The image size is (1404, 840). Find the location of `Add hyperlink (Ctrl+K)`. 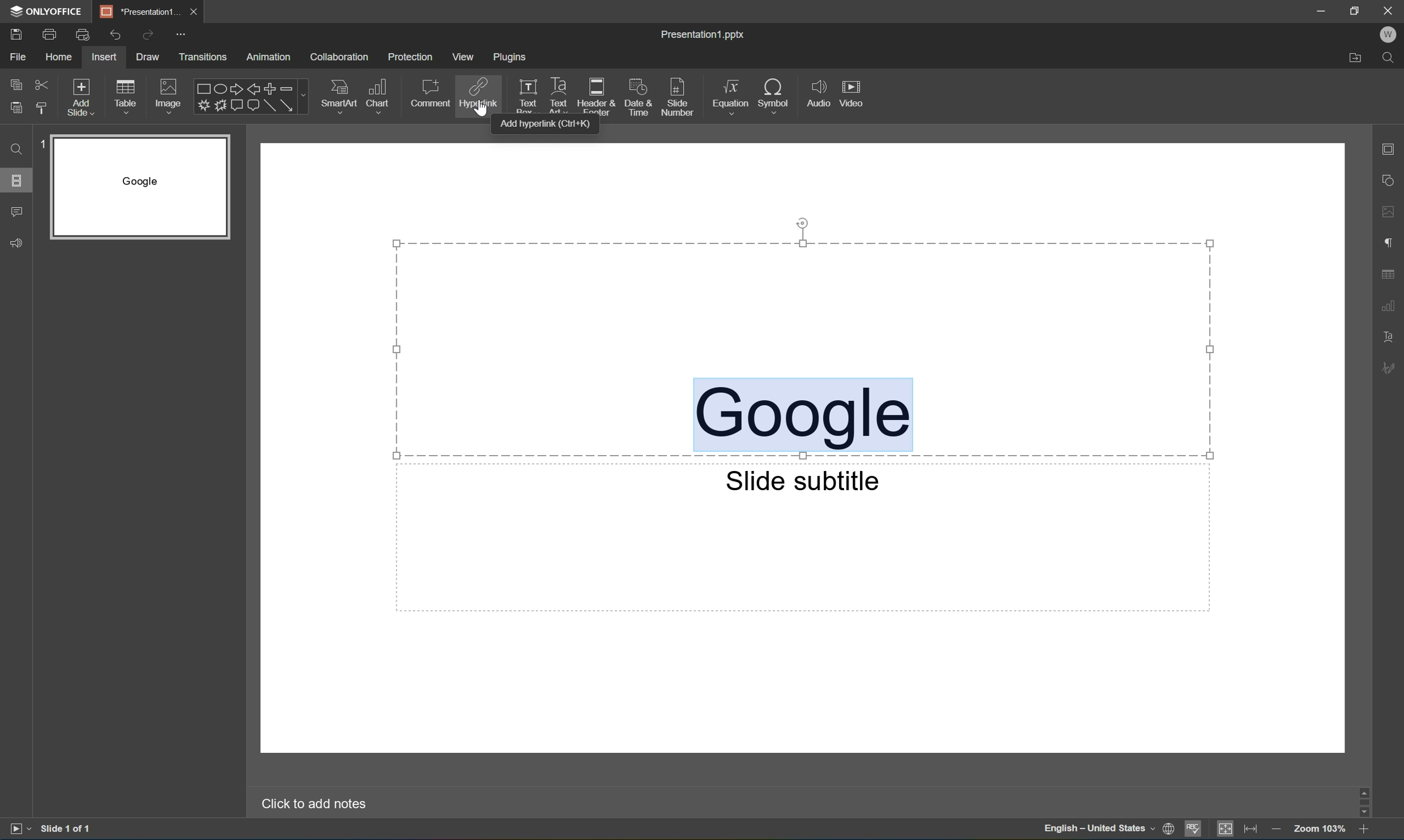

Add hyperlink (Ctrl+K) is located at coordinates (546, 124).